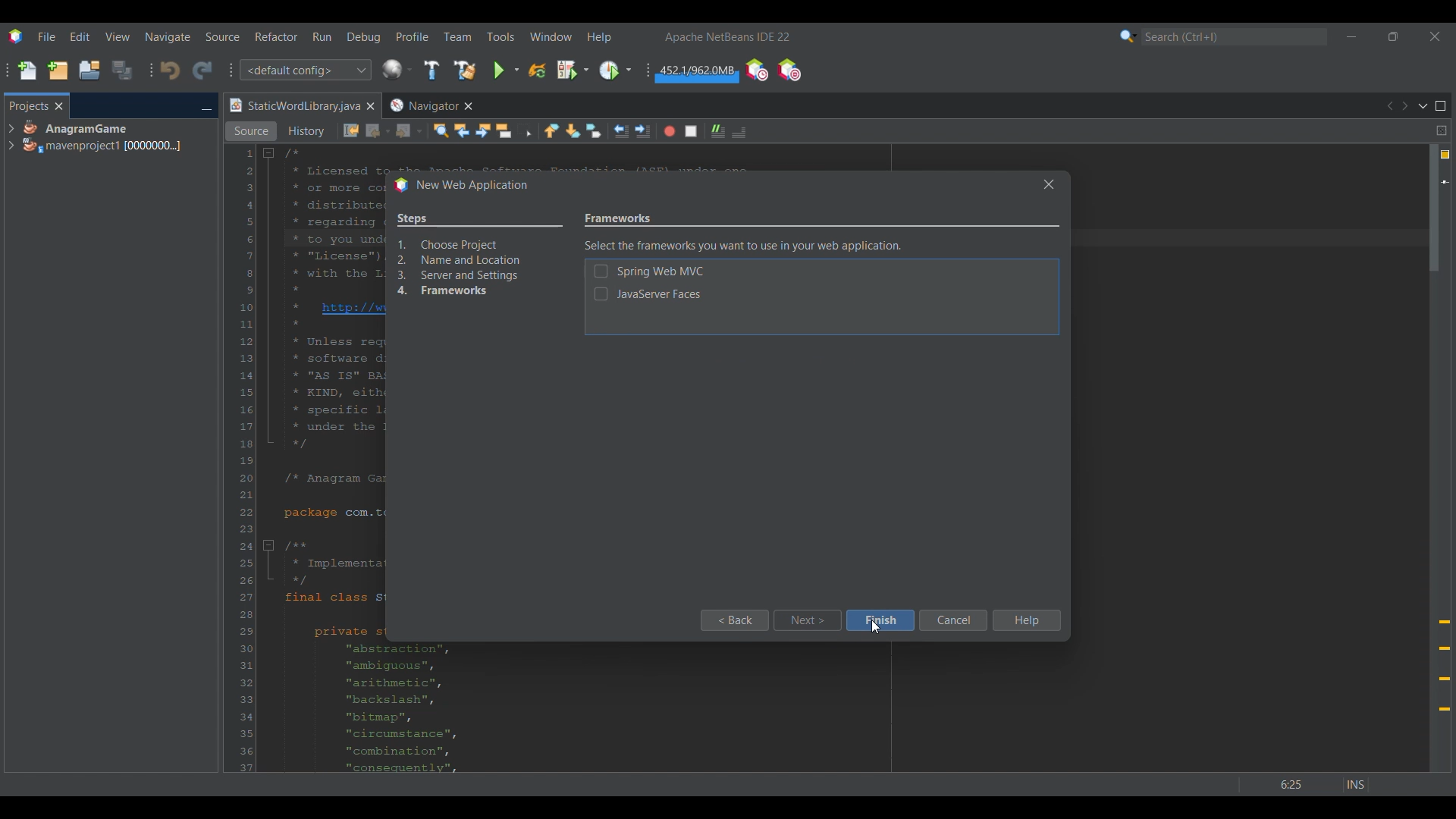 The width and height of the screenshot is (1456, 819). Describe the element at coordinates (59, 106) in the screenshot. I see `Close tab` at that location.